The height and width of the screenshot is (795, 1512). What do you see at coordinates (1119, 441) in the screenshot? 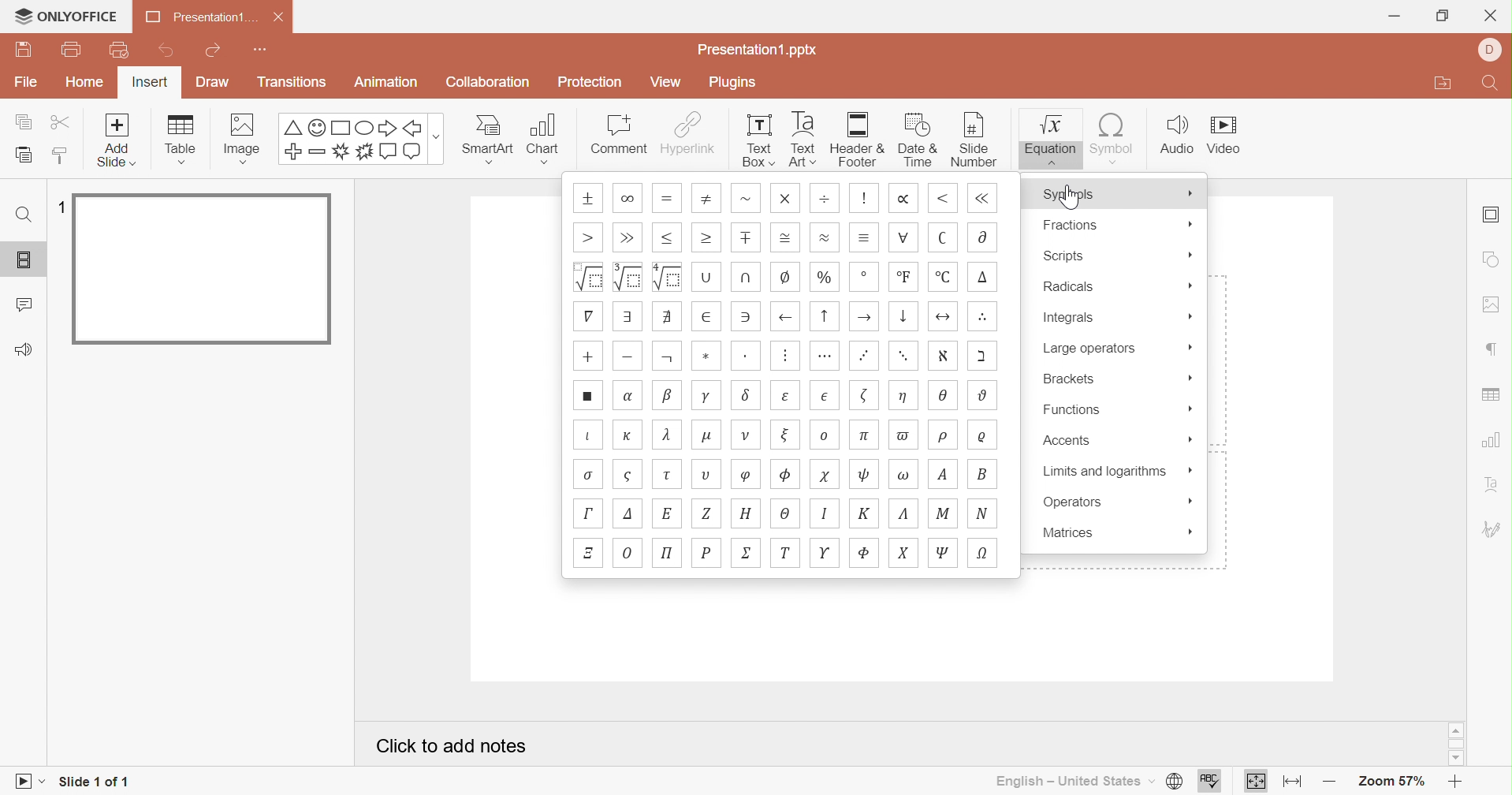
I see `Accents` at bounding box center [1119, 441].